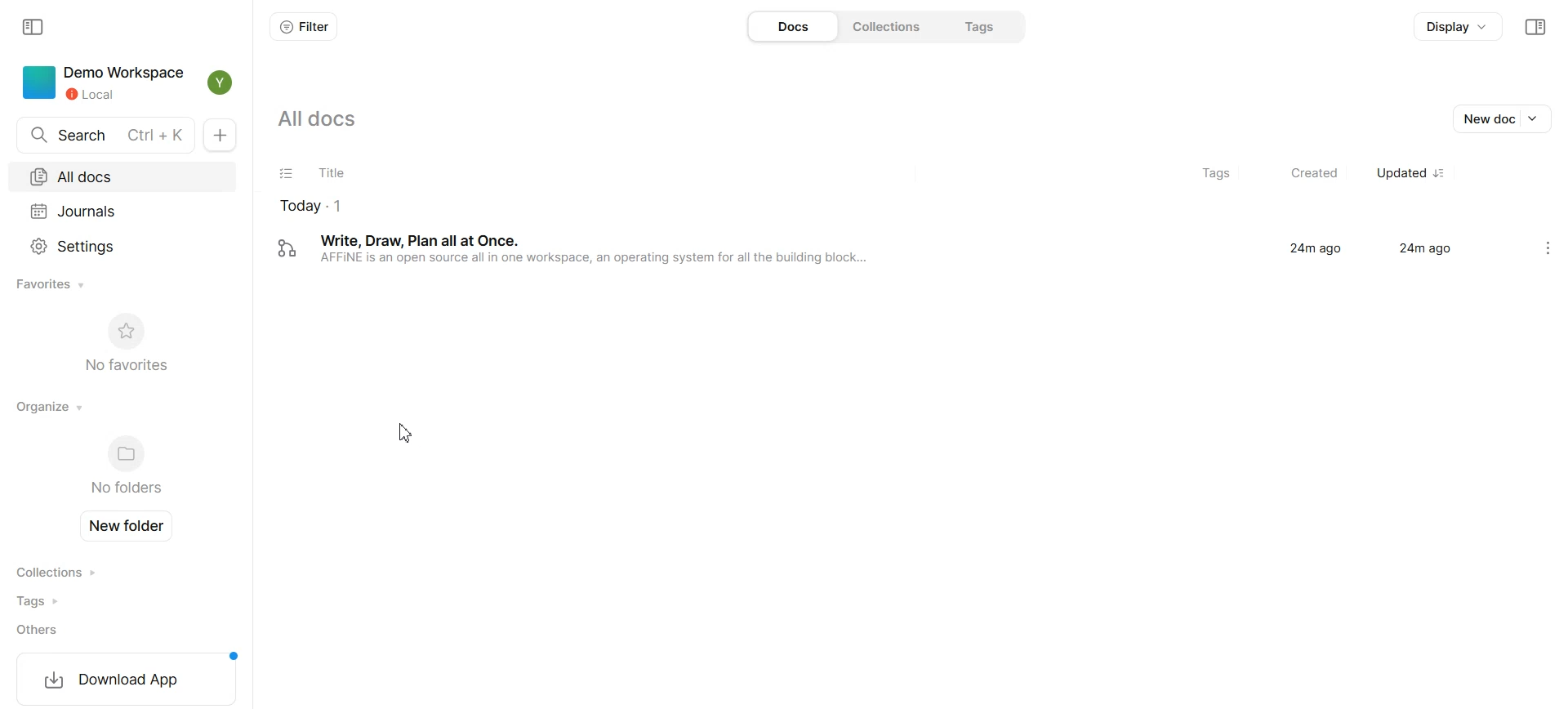  Describe the element at coordinates (1407, 173) in the screenshot. I see `Updated` at that location.